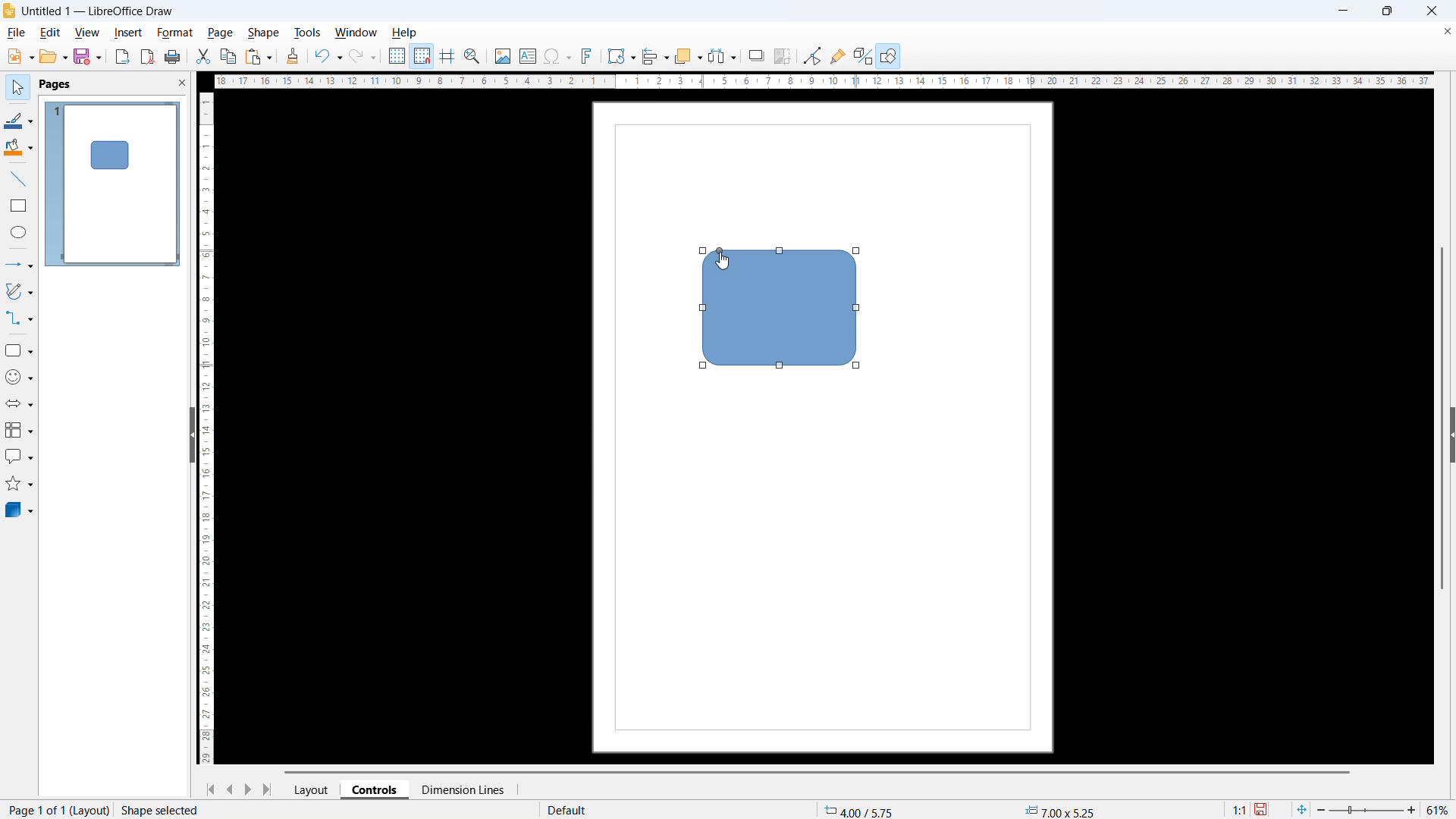 This screenshot has width=1456, height=819. I want to click on Zoom slider , so click(1367, 810).